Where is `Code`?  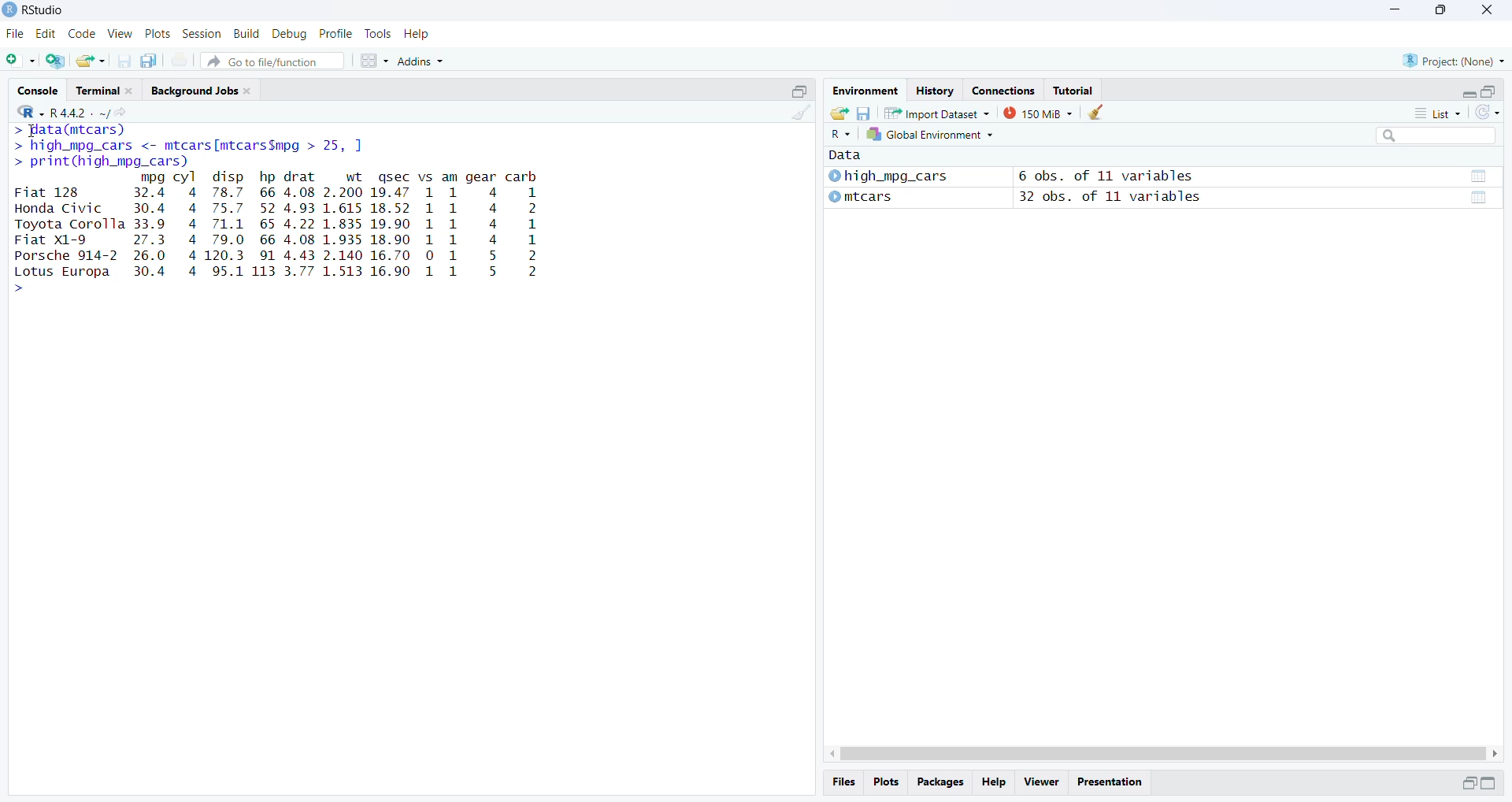
Code is located at coordinates (81, 34).